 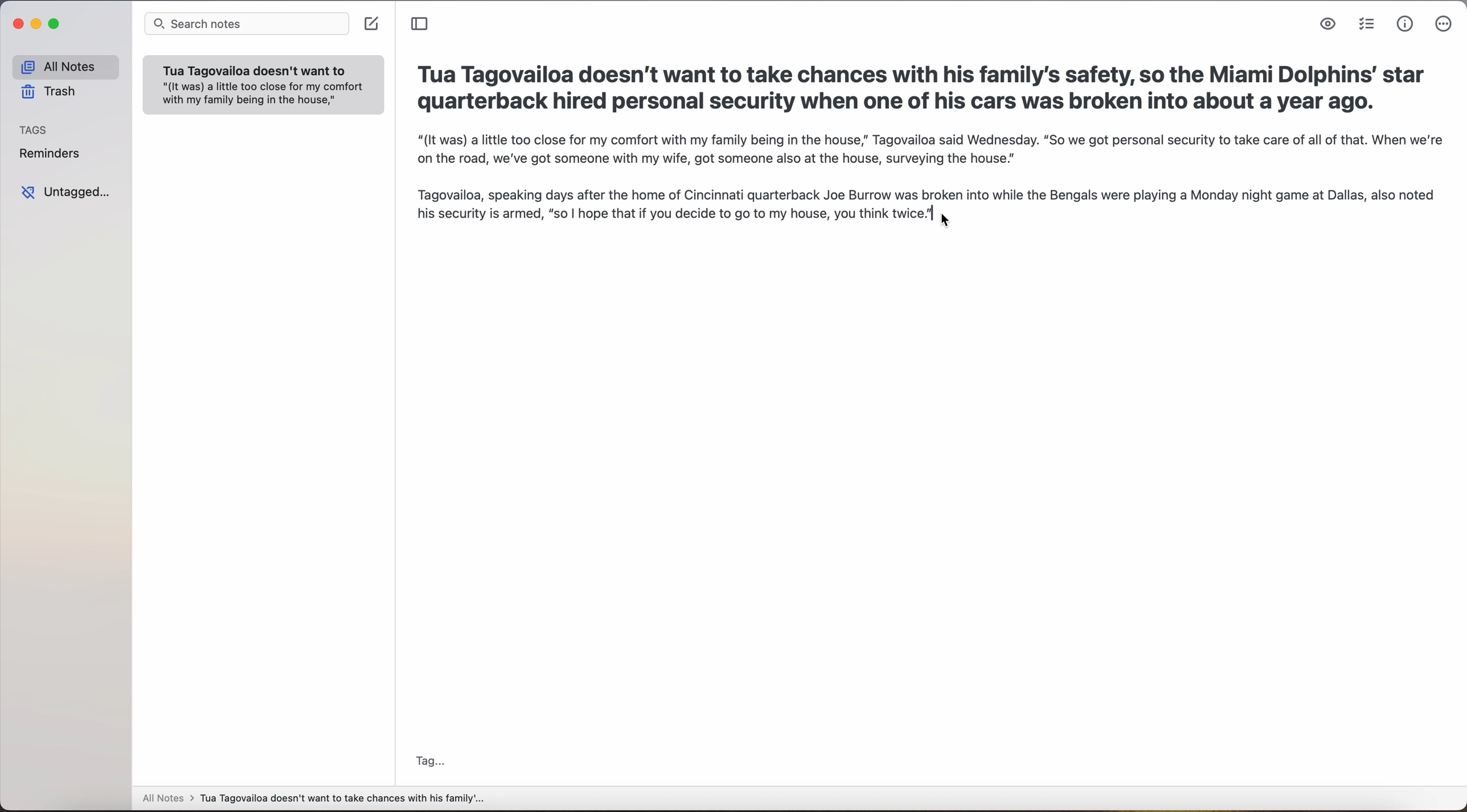 What do you see at coordinates (1404, 24) in the screenshot?
I see `metrics` at bounding box center [1404, 24].